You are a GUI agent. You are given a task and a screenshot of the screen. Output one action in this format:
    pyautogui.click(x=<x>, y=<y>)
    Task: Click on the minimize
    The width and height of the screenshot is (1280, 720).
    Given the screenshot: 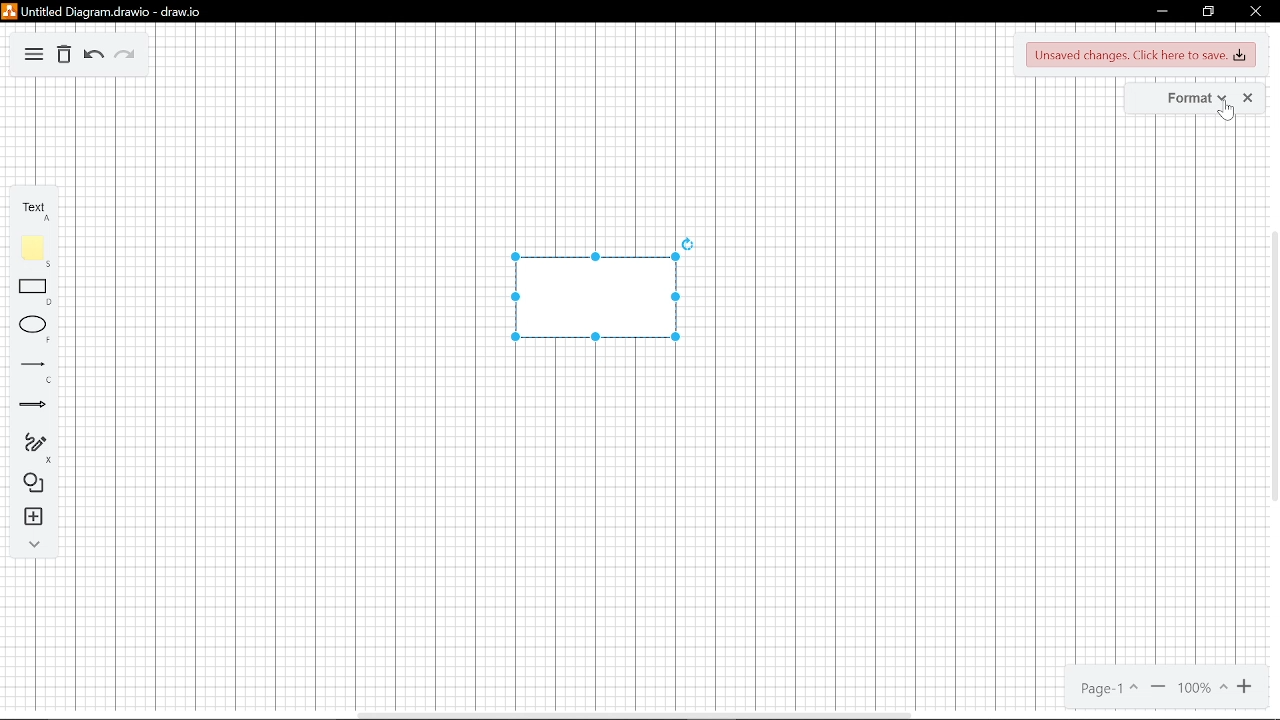 What is the action you would take?
    pyautogui.click(x=1161, y=14)
    